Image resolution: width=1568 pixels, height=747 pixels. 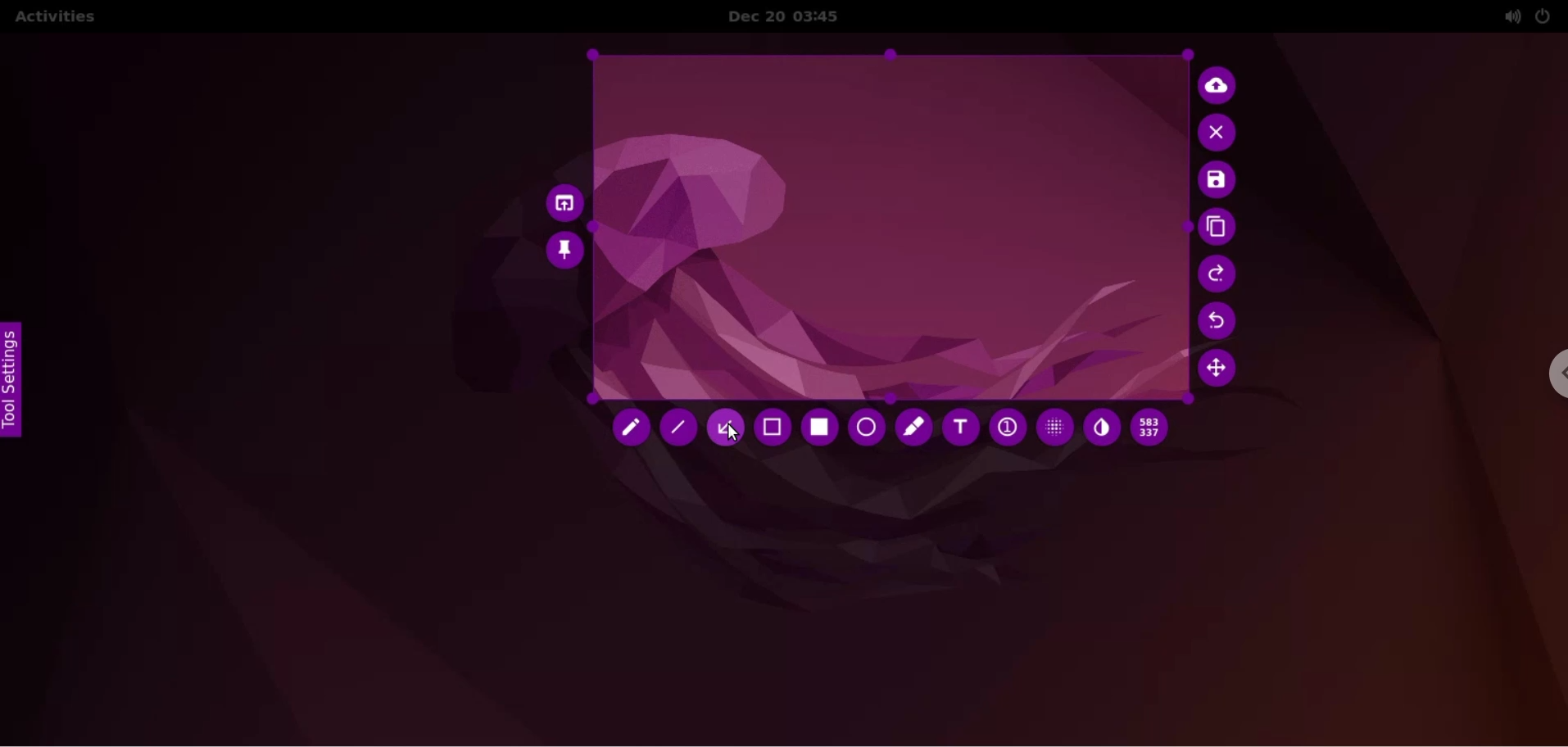 I want to click on x and y coordinates value, so click(x=1155, y=428).